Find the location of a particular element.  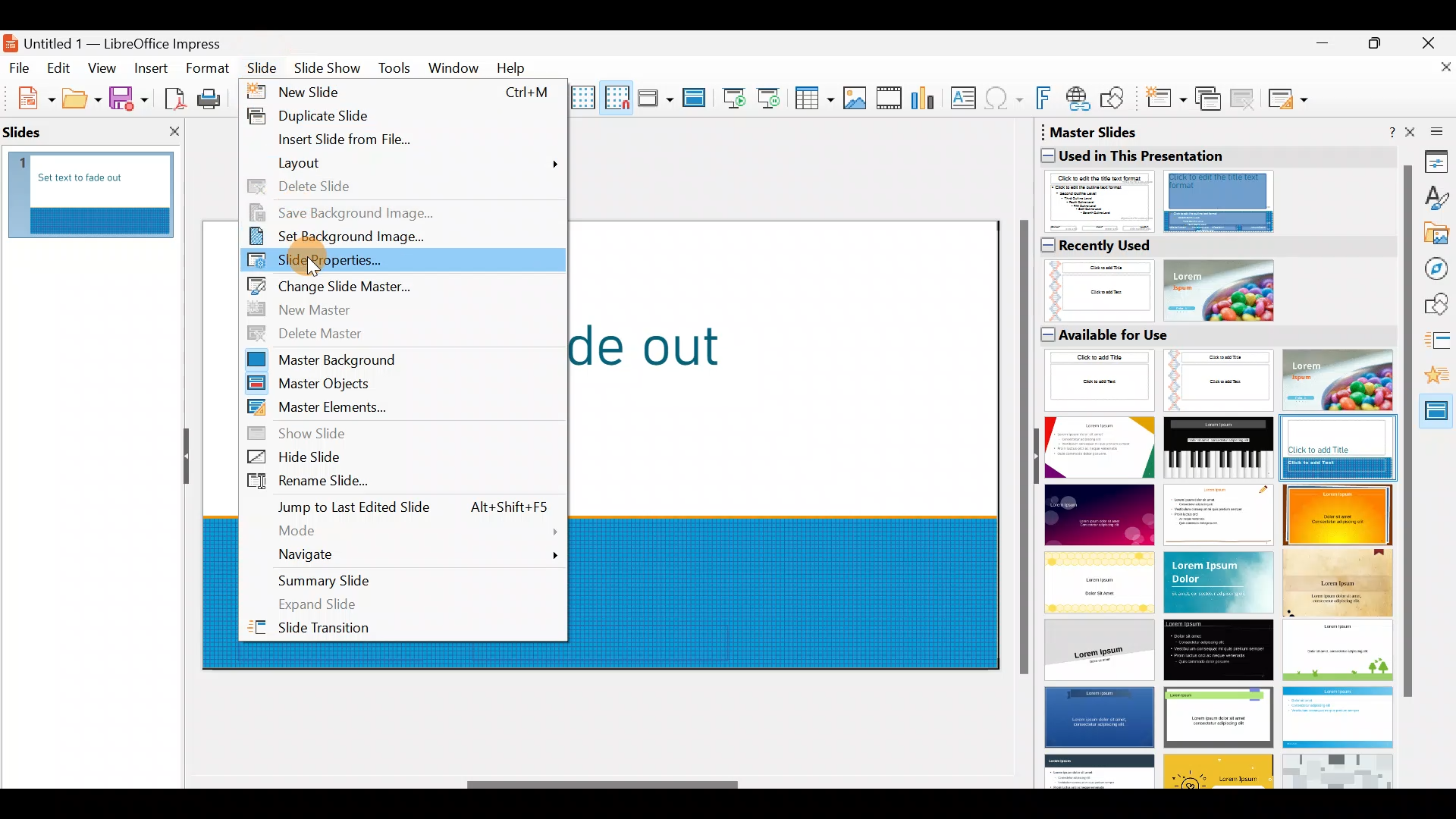

Insert slide from file is located at coordinates (395, 140).